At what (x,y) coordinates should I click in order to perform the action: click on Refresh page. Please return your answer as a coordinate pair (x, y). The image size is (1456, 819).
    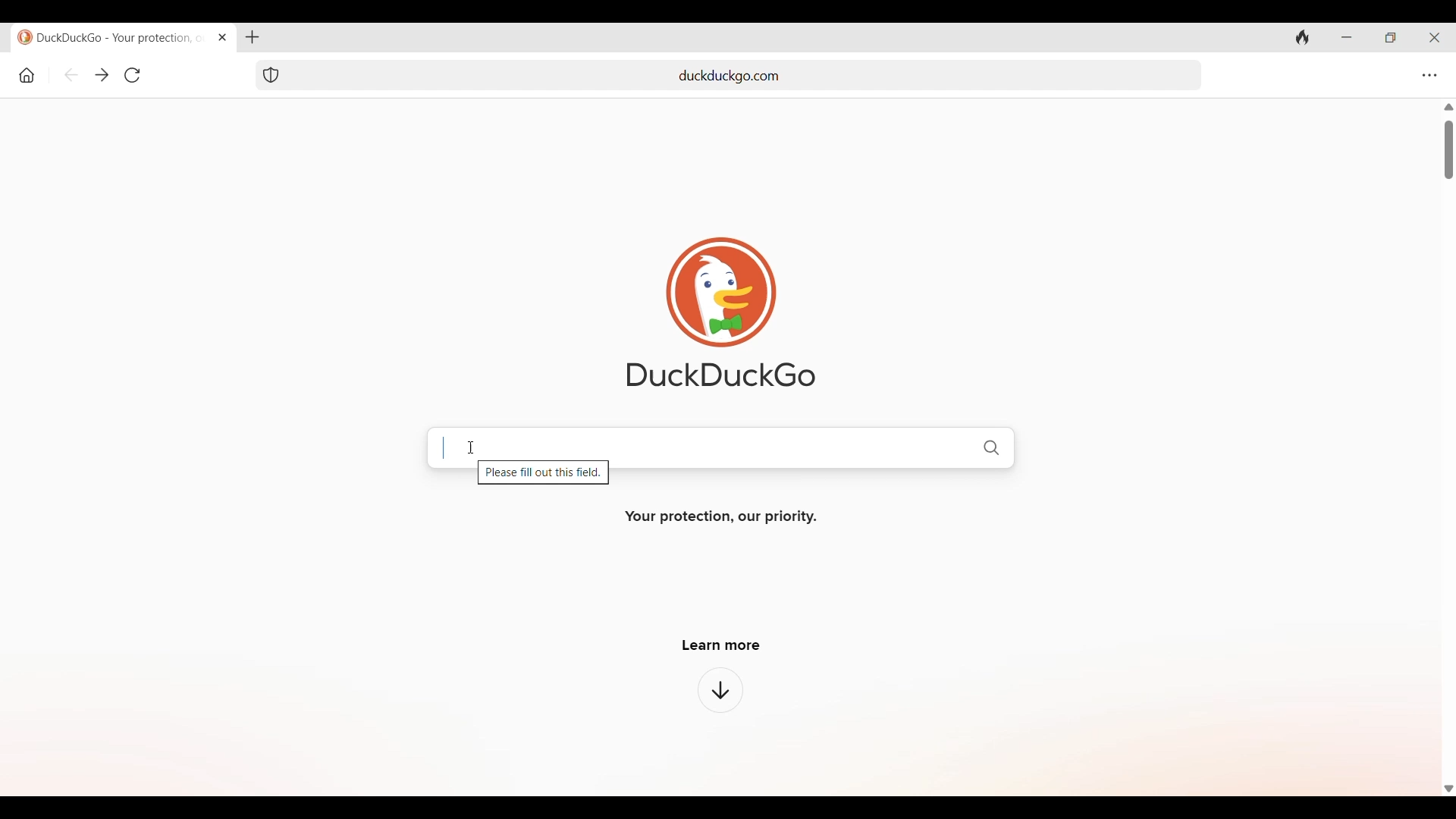
    Looking at the image, I should click on (132, 75).